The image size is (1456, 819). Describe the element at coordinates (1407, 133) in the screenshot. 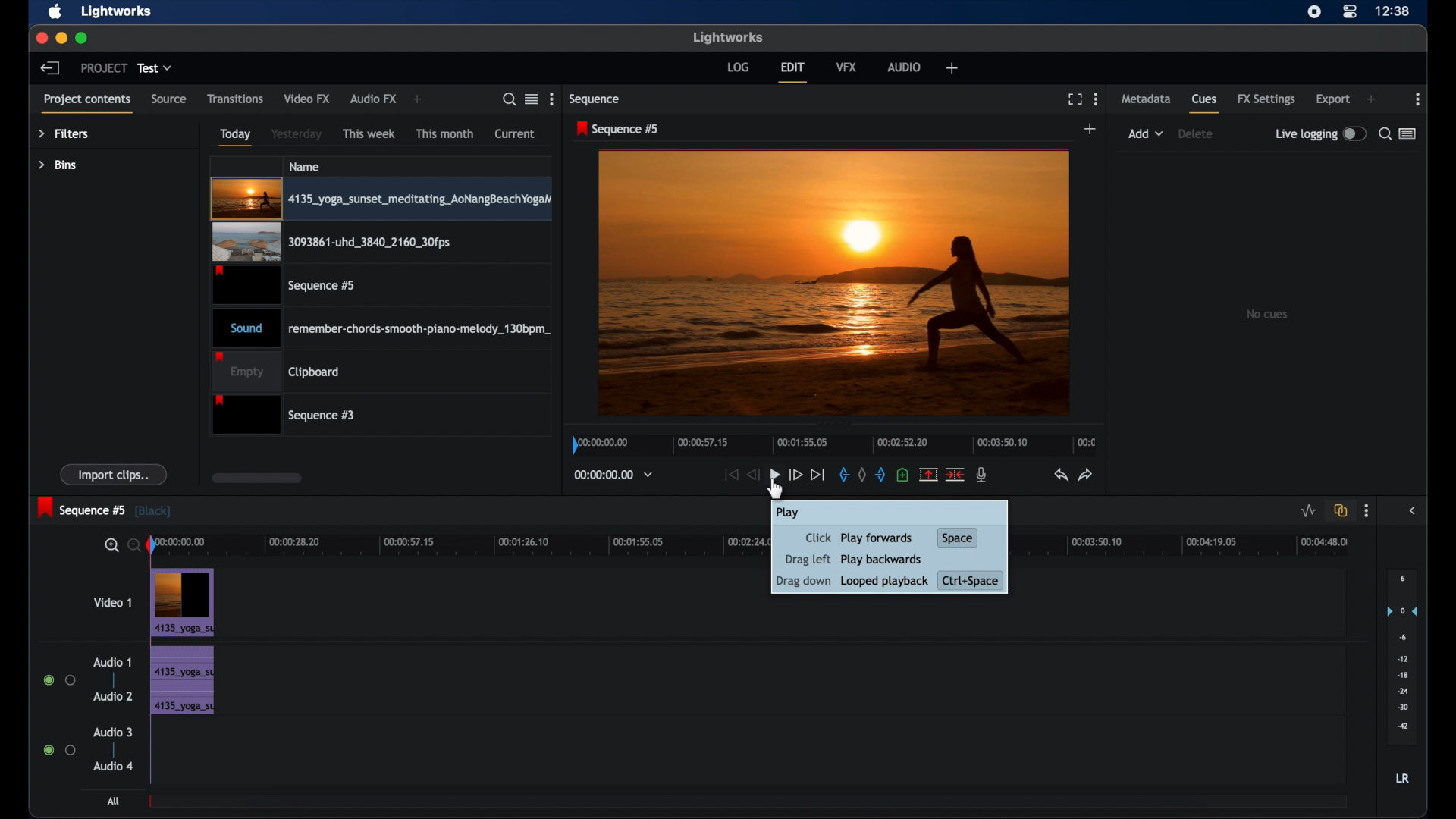

I see `toggle between list or logger view` at that location.